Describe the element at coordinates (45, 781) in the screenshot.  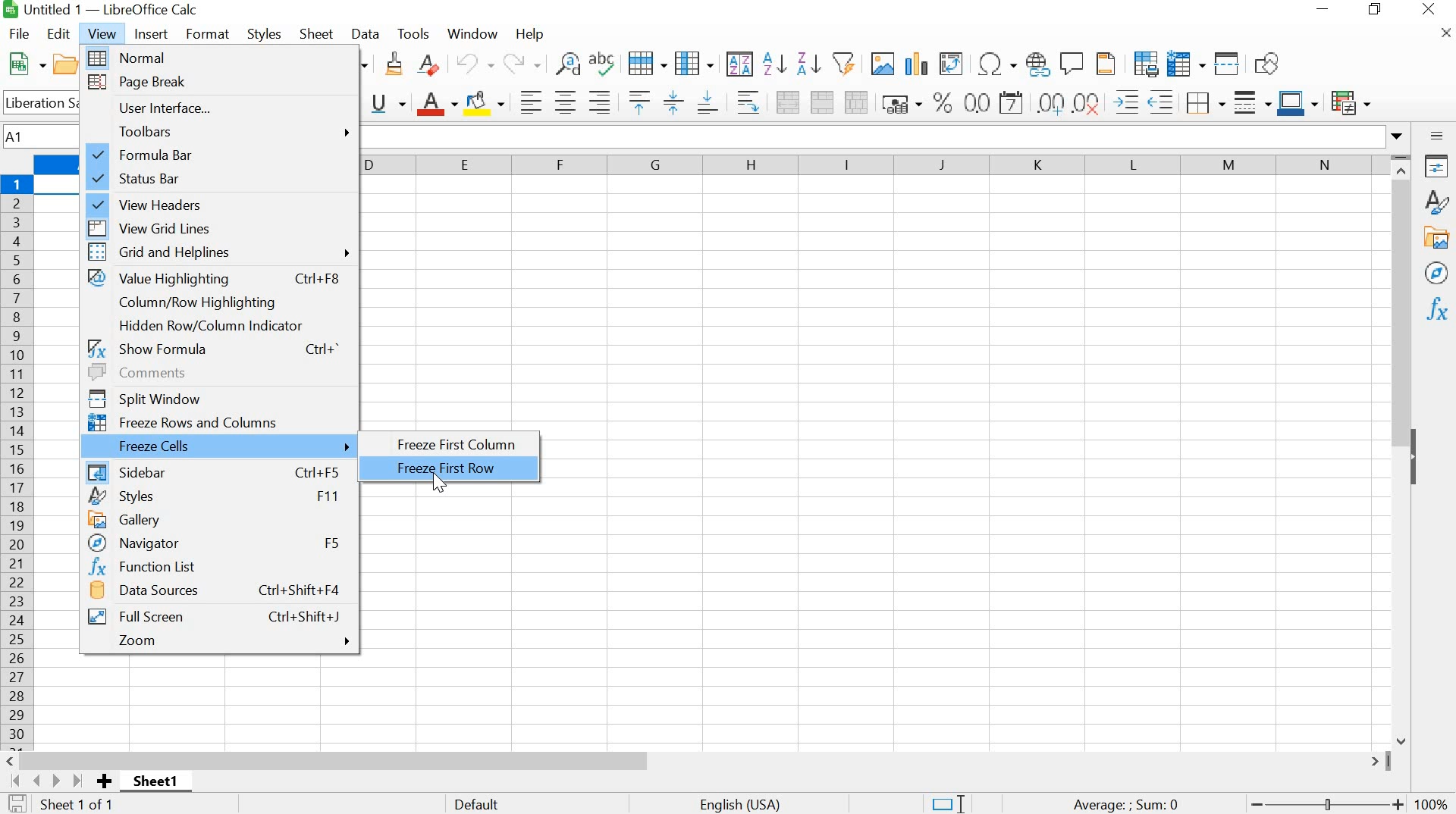
I see `SCROLL TO SHEET` at that location.